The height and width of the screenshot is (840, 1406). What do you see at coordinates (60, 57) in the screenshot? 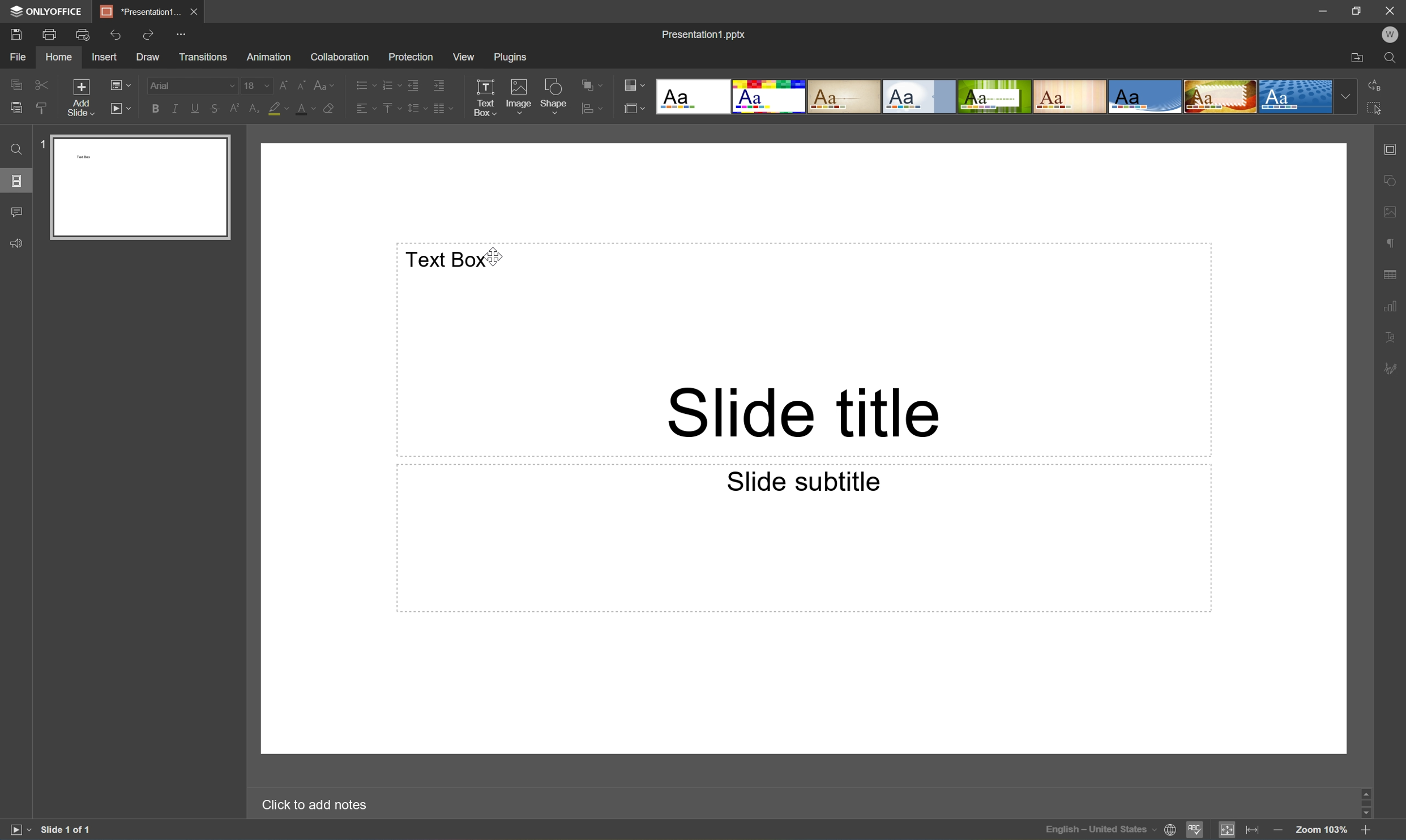
I see `Home` at bounding box center [60, 57].